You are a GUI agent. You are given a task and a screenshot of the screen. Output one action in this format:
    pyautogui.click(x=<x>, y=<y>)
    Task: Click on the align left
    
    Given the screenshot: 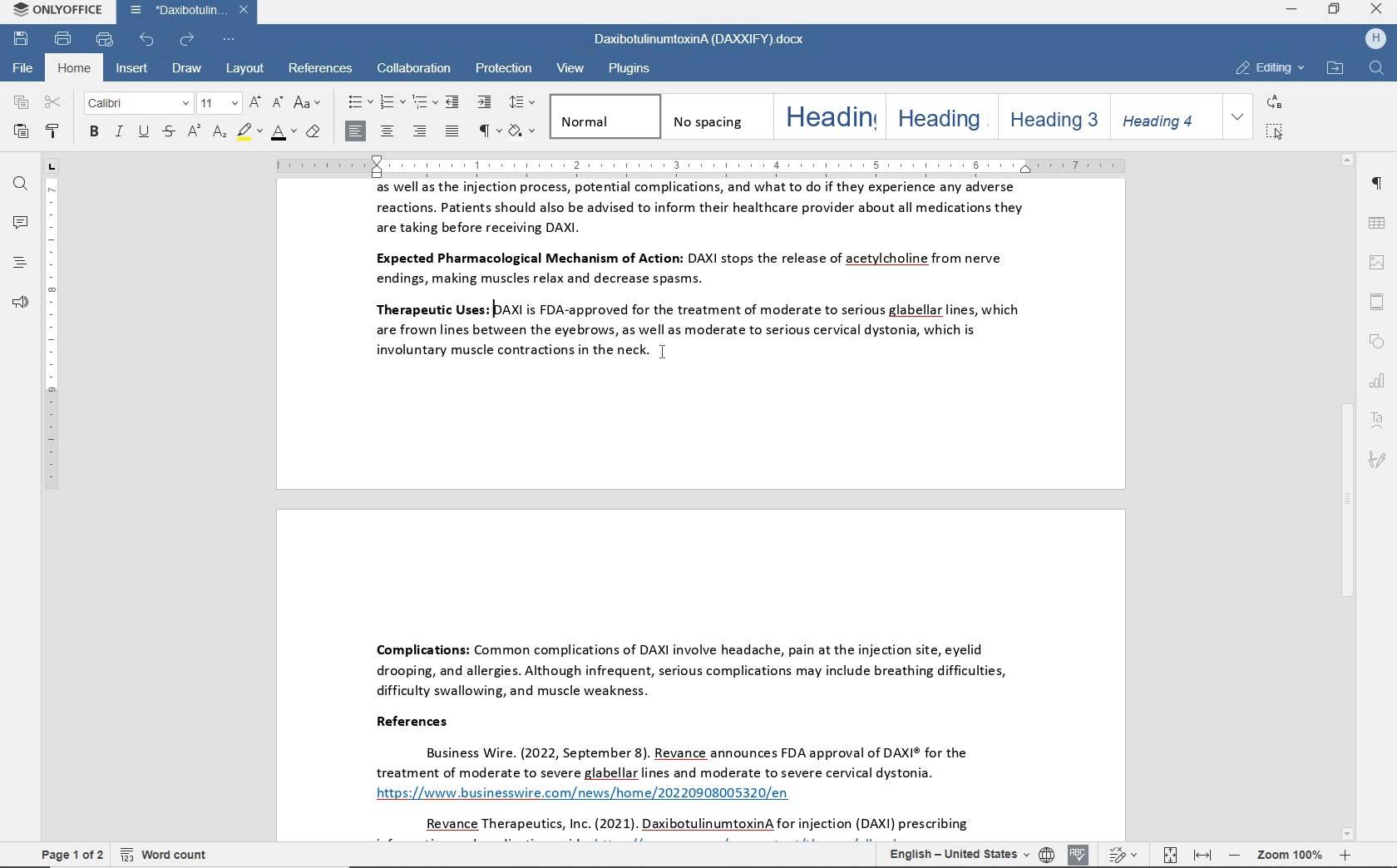 What is the action you would take?
    pyautogui.click(x=357, y=131)
    